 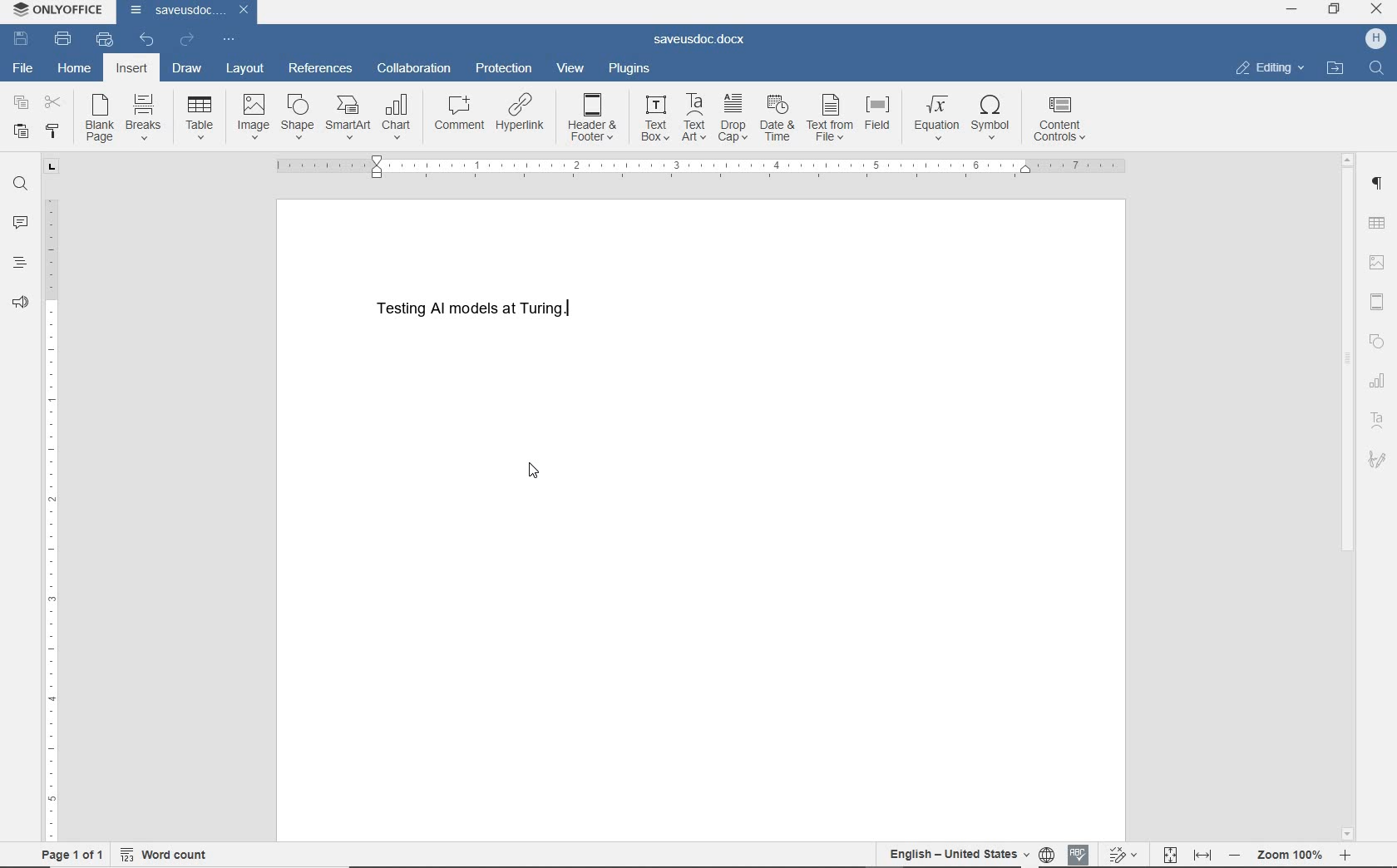 What do you see at coordinates (778, 121) in the screenshot?
I see `date & time` at bounding box center [778, 121].